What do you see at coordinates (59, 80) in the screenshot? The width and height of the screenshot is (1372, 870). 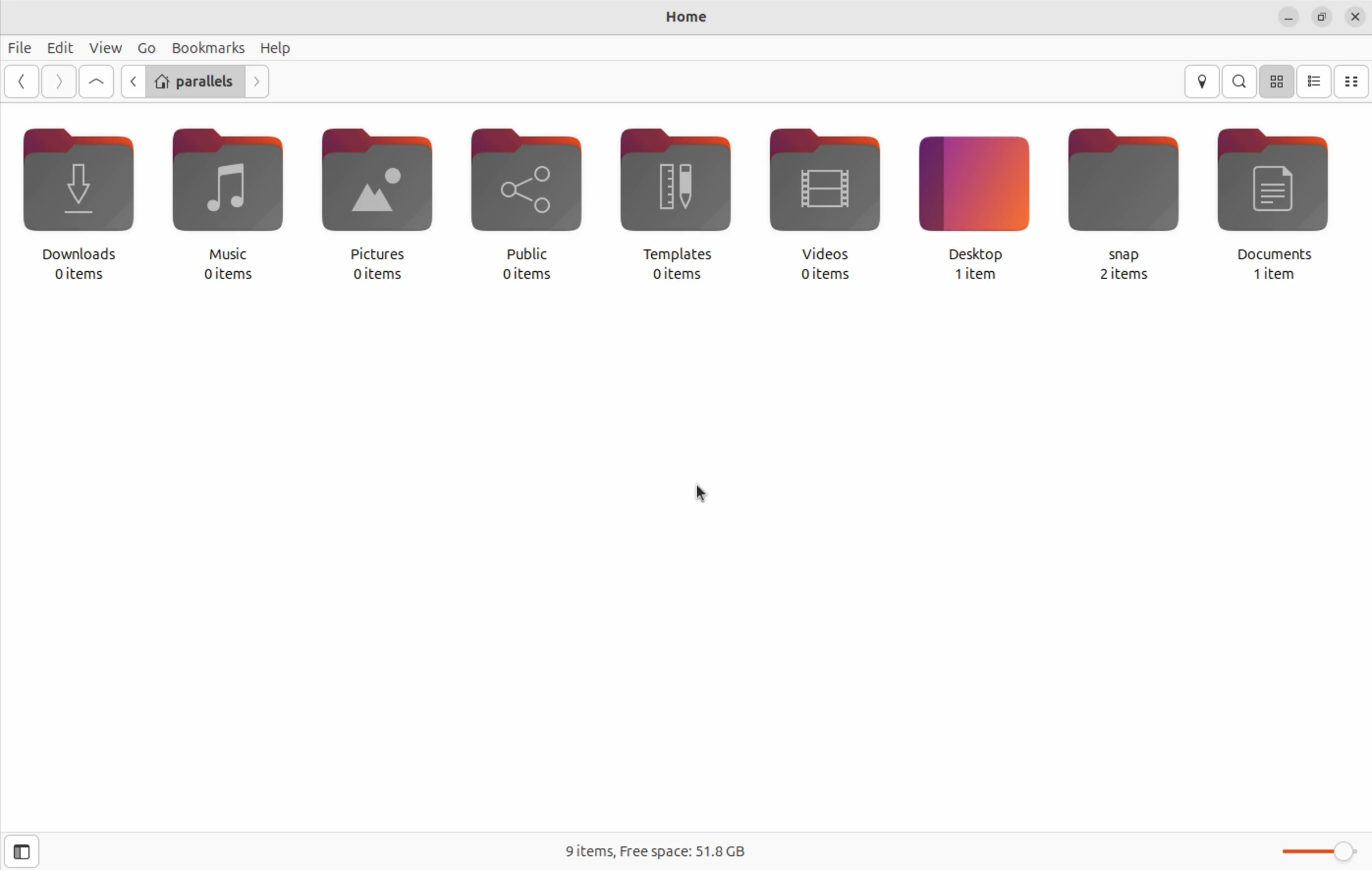 I see `Go next` at bounding box center [59, 80].